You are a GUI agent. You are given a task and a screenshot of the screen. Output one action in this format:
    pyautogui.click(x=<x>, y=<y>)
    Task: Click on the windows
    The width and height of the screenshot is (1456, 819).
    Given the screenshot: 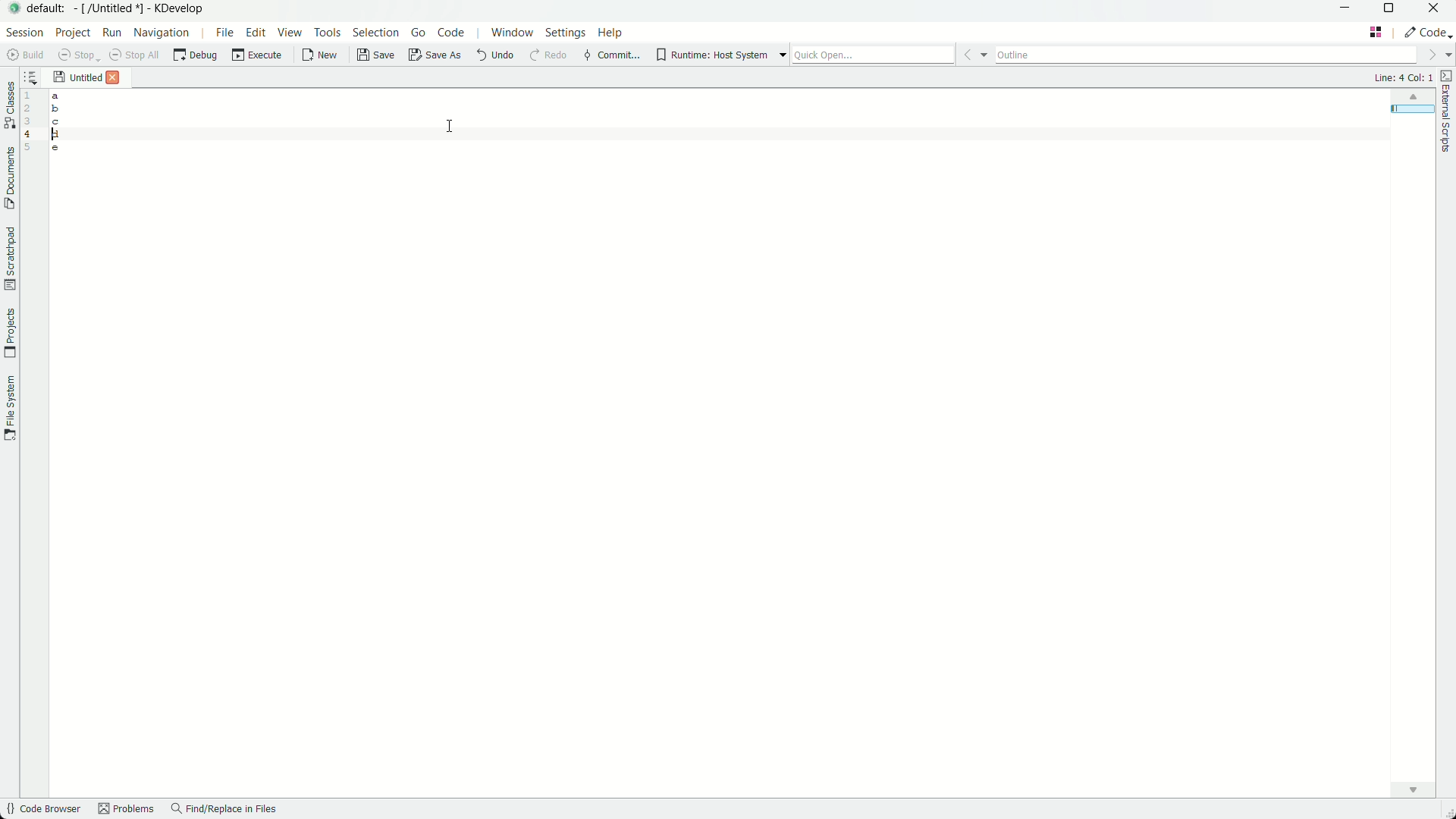 What is the action you would take?
    pyautogui.click(x=510, y=35)
    